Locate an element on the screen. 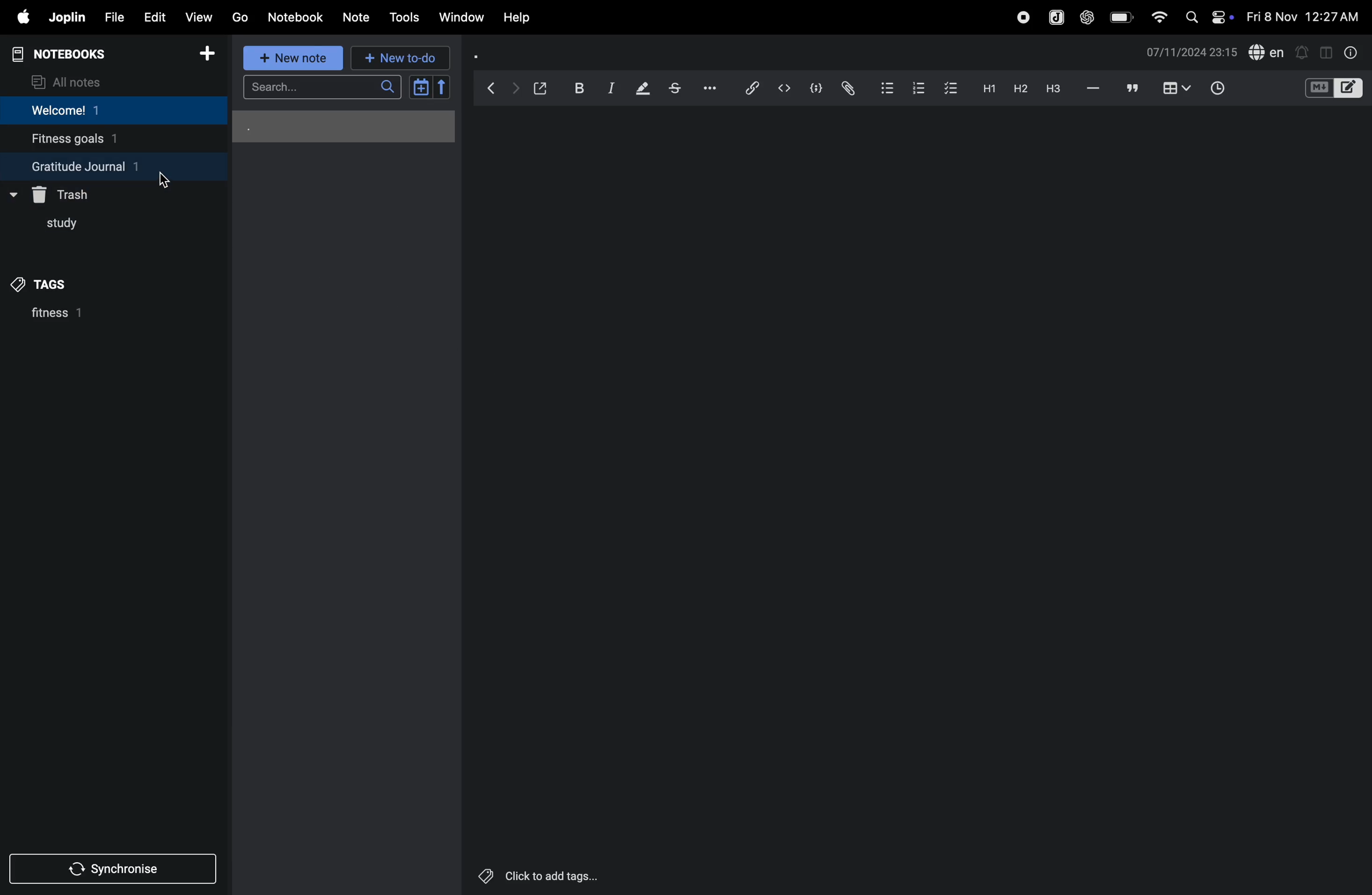 The height and width of the screenshot is (895, 1372). Cursor is located at coordinates (162, 178).